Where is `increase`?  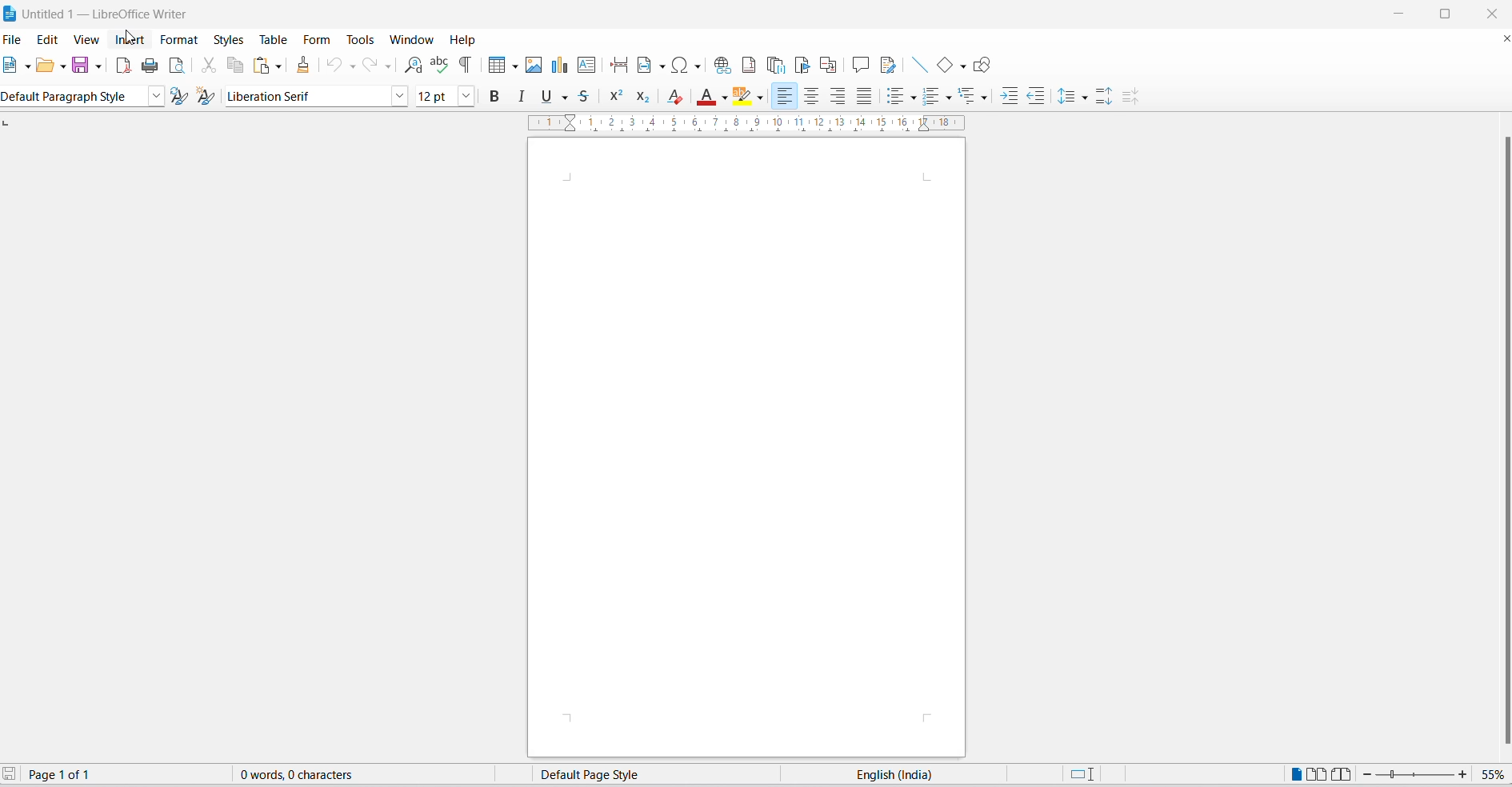 increase is located at coordinates (1463, 774).